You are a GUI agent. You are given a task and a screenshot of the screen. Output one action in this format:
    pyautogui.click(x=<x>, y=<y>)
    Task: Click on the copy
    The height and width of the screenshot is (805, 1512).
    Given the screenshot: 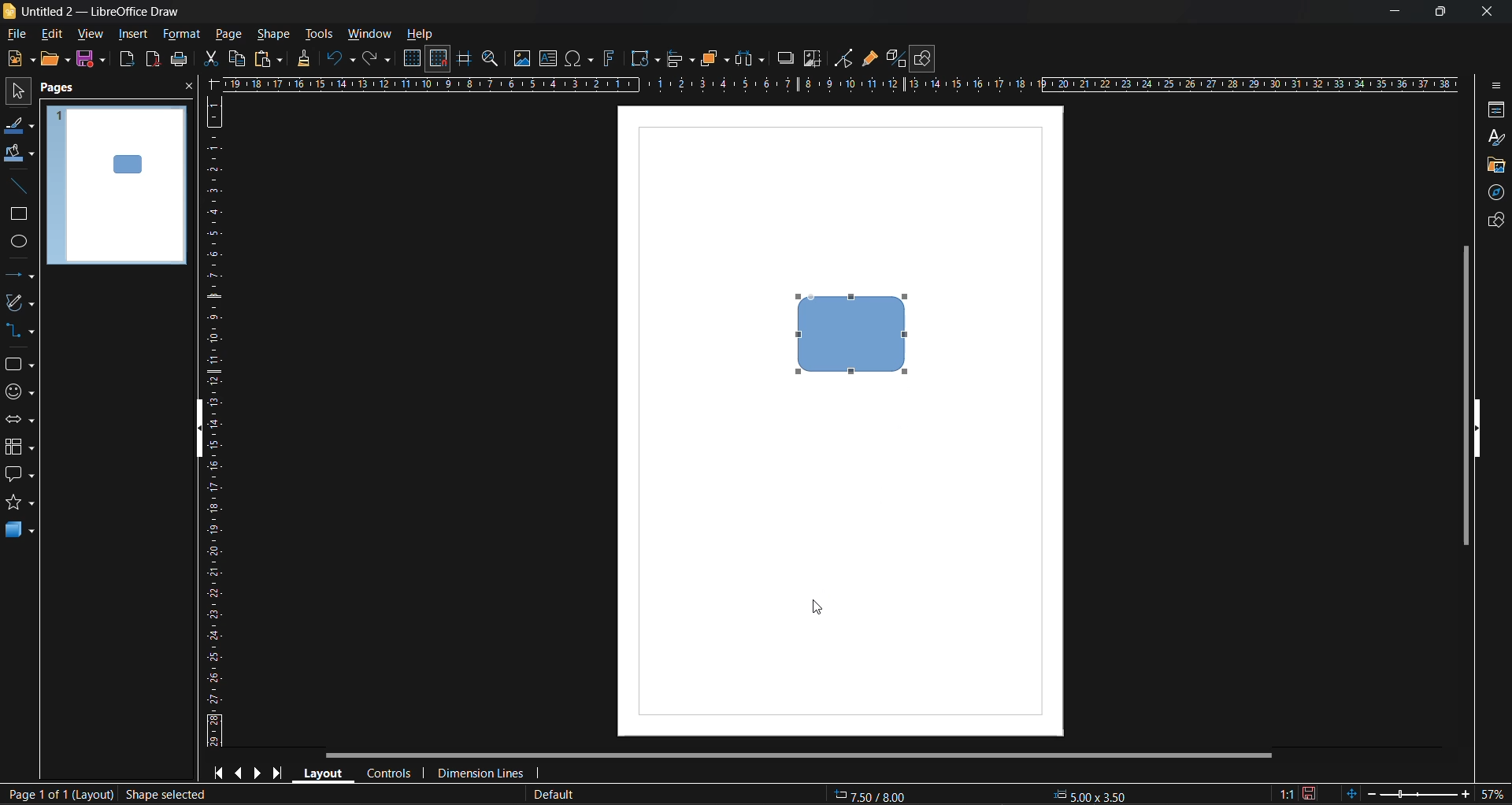 What is the action you would take?
    pyautogui.click(x=236, y=59)
    